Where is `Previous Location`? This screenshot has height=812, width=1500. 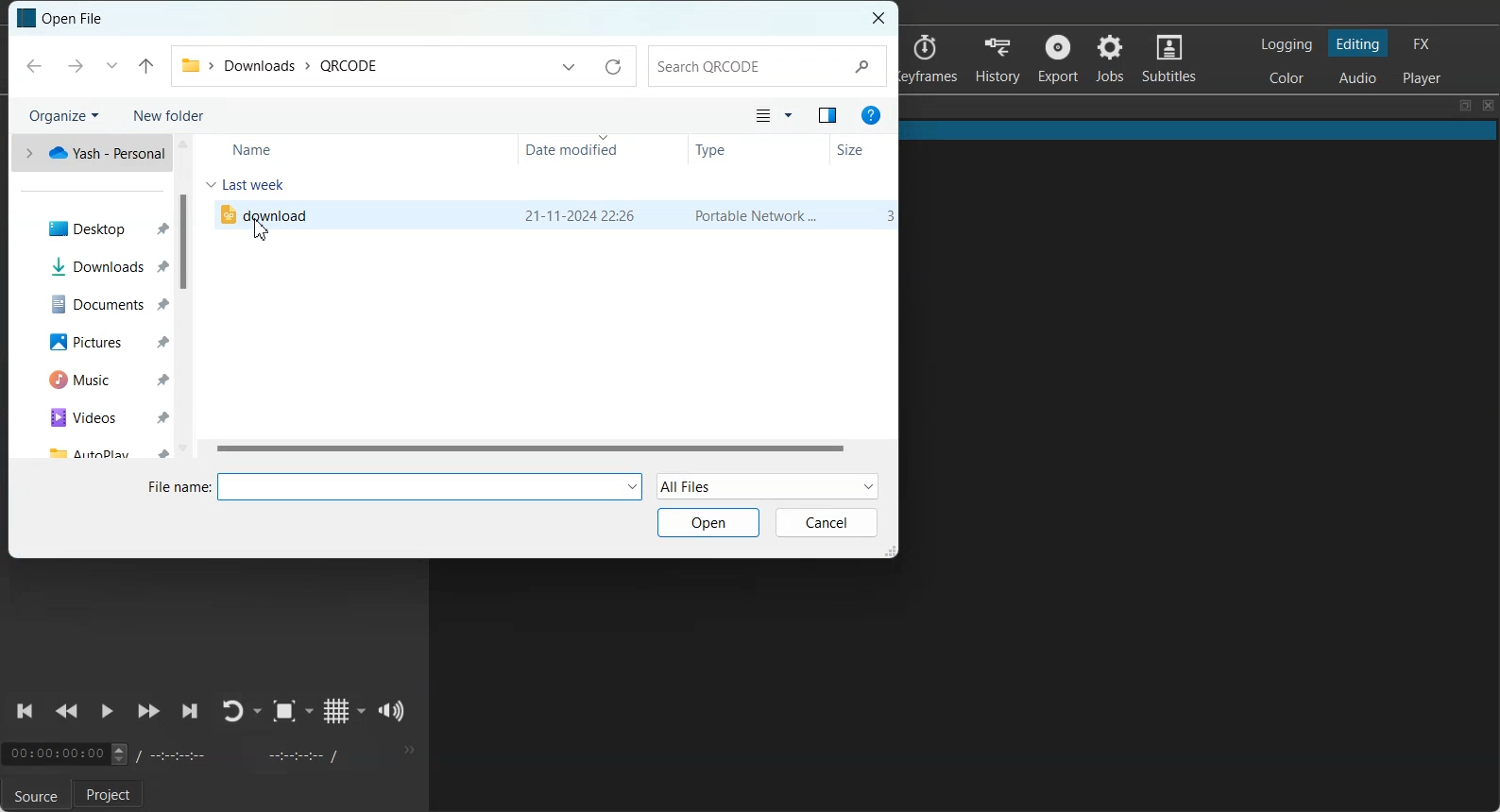 Previous Location is located at coordinates (566, 66).